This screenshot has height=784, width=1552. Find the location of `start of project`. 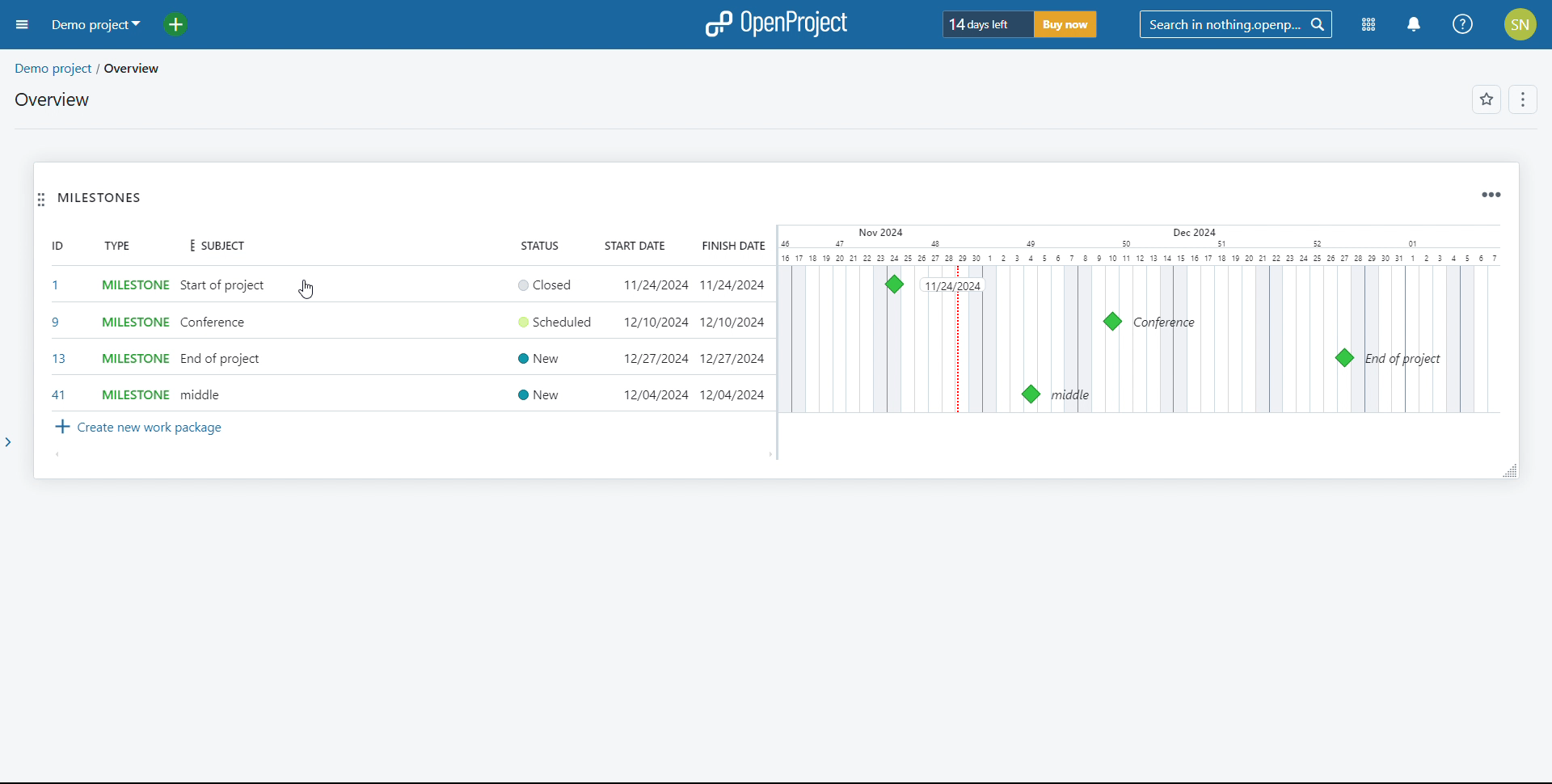

start of project is located at coordinates (224, 281).